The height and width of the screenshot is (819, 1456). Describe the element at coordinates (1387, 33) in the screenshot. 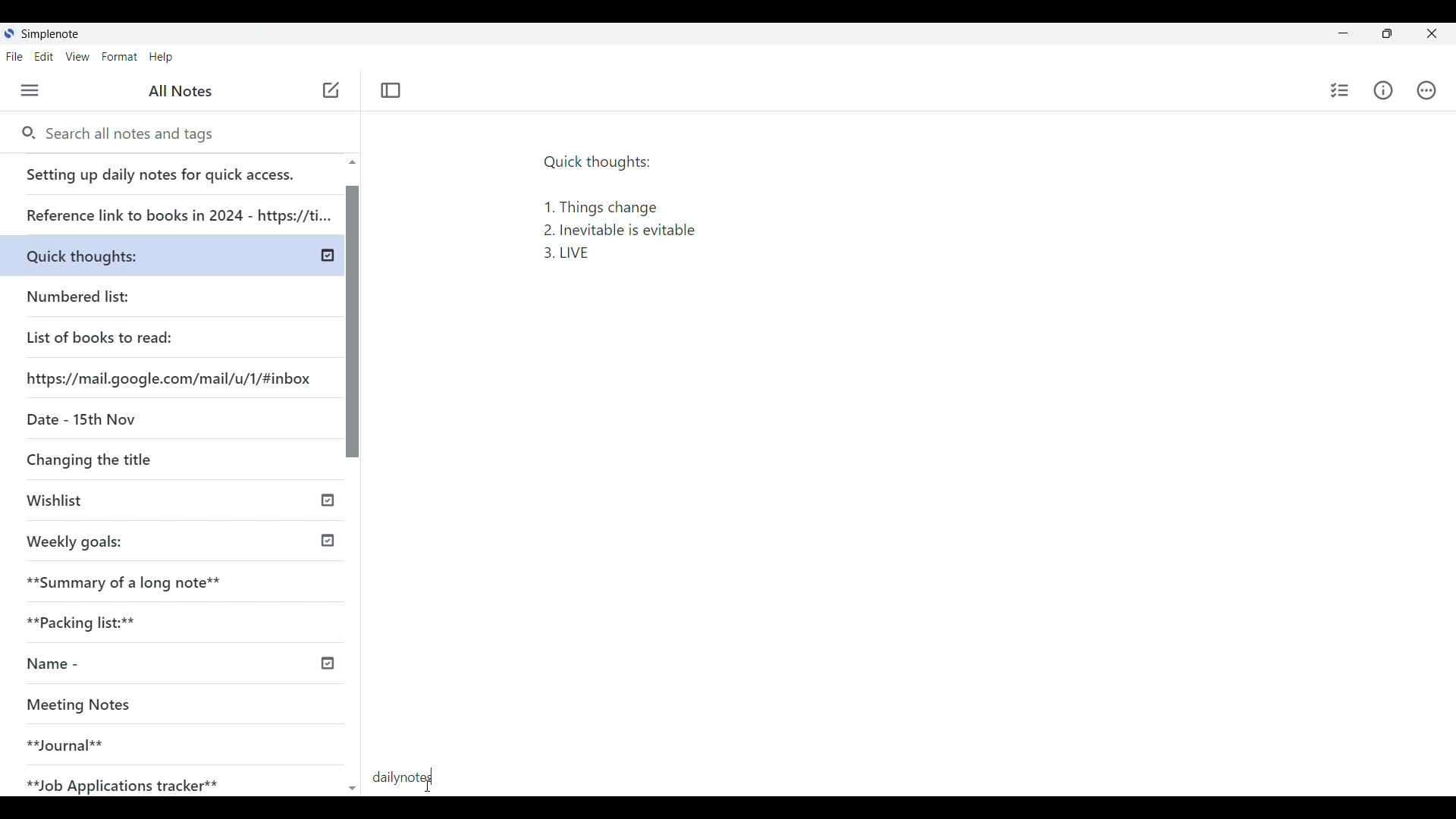

I see `toggle screen size` at that location.